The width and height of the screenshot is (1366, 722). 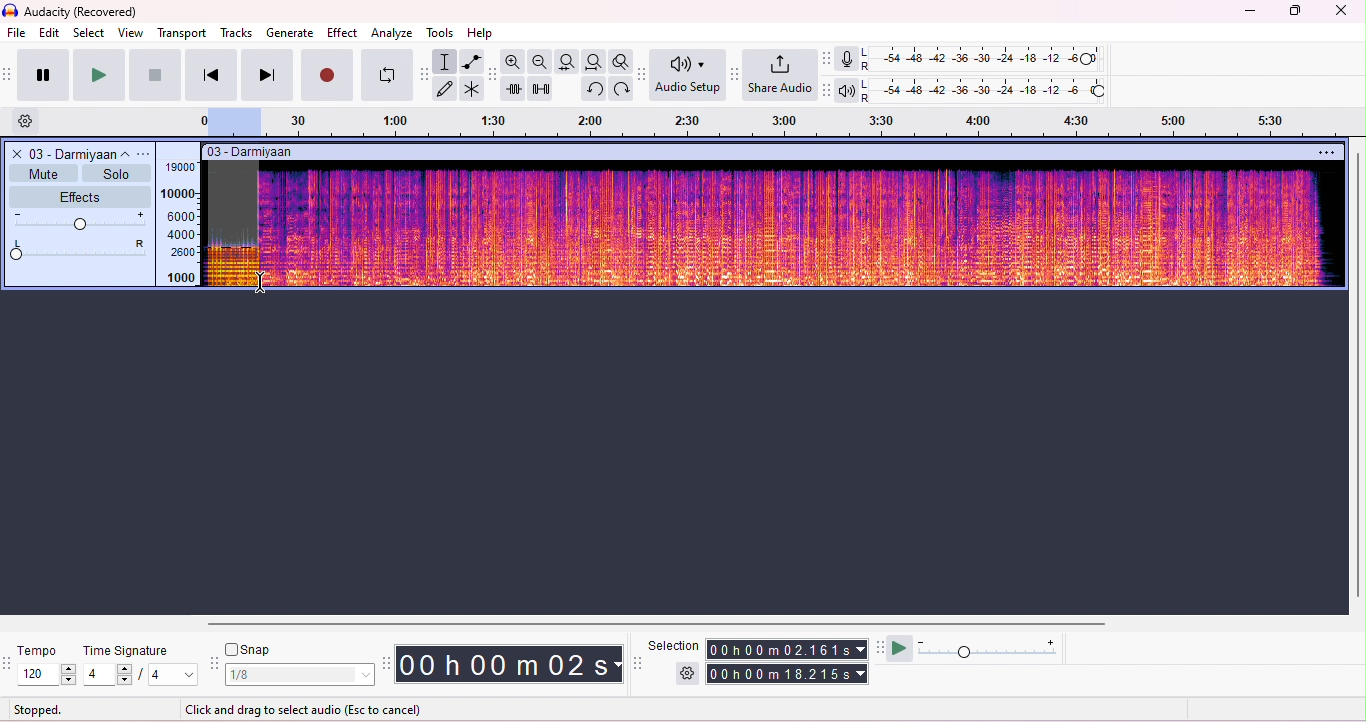 What do you see at coordinates (389, 663) in the screenshot?
I see `time tool bar` at bounding box center [389, 663].